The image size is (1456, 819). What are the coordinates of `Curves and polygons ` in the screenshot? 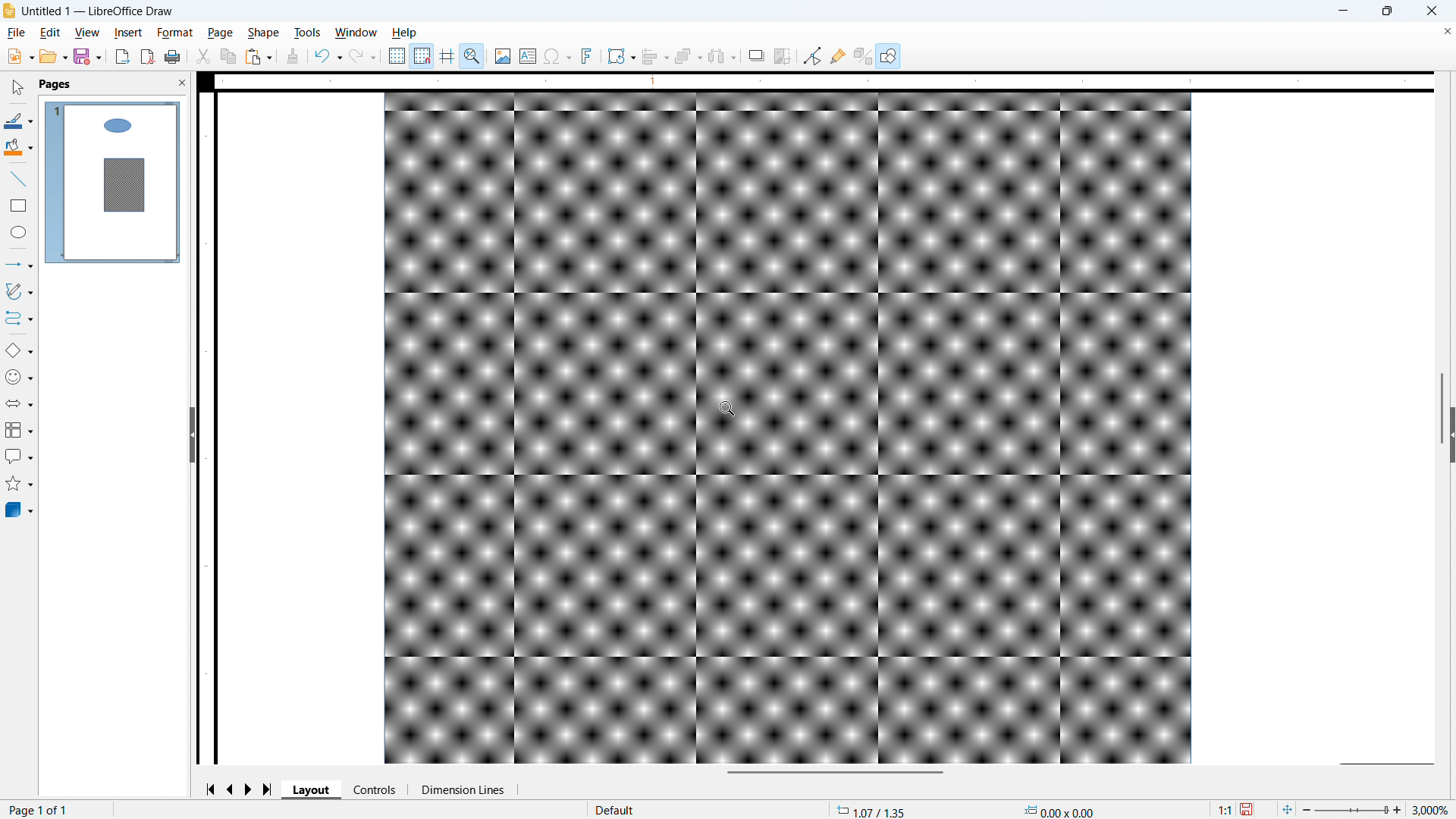 It's located at (19, 291).